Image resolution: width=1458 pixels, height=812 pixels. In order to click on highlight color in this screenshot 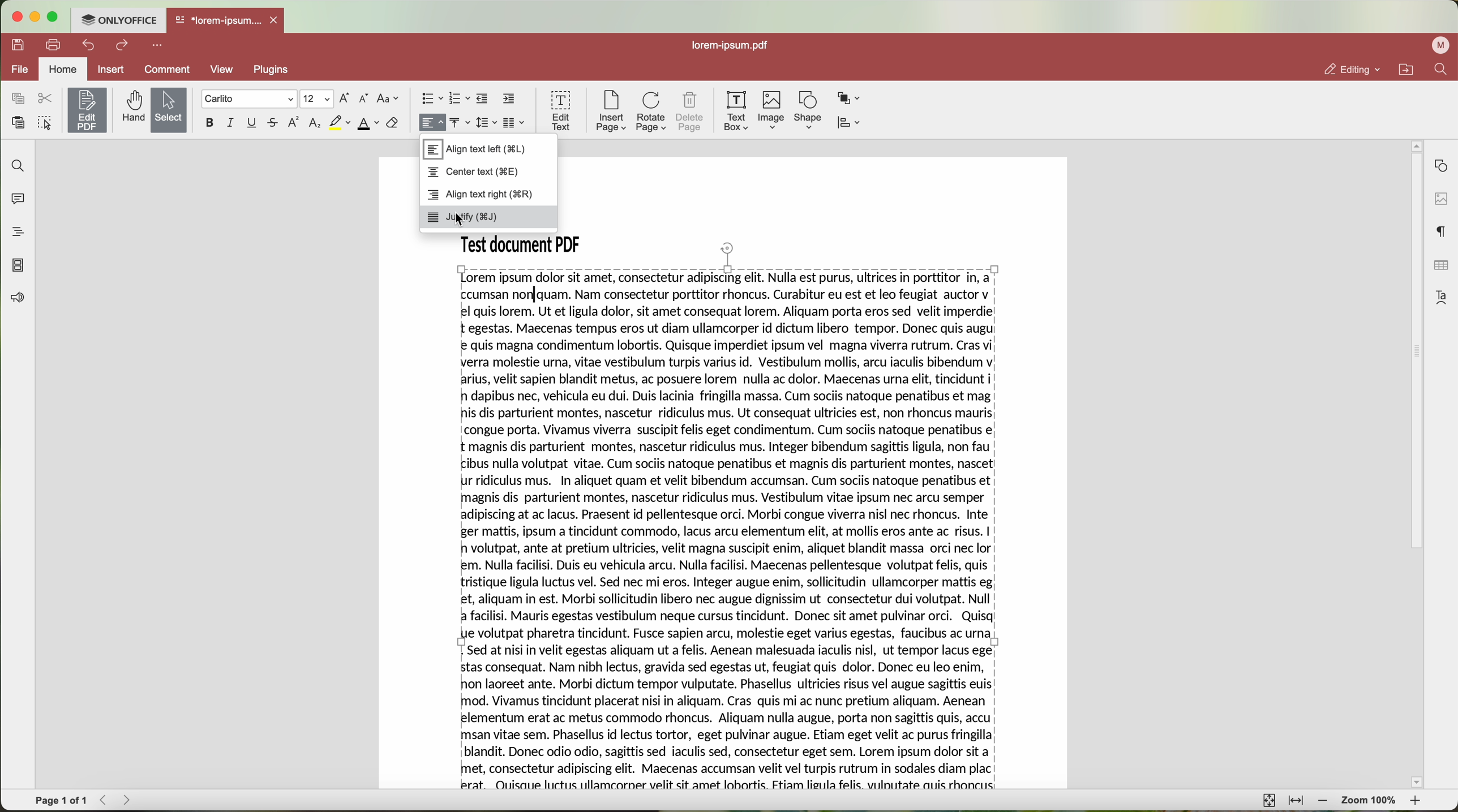, I will do `click(340, 123)`.